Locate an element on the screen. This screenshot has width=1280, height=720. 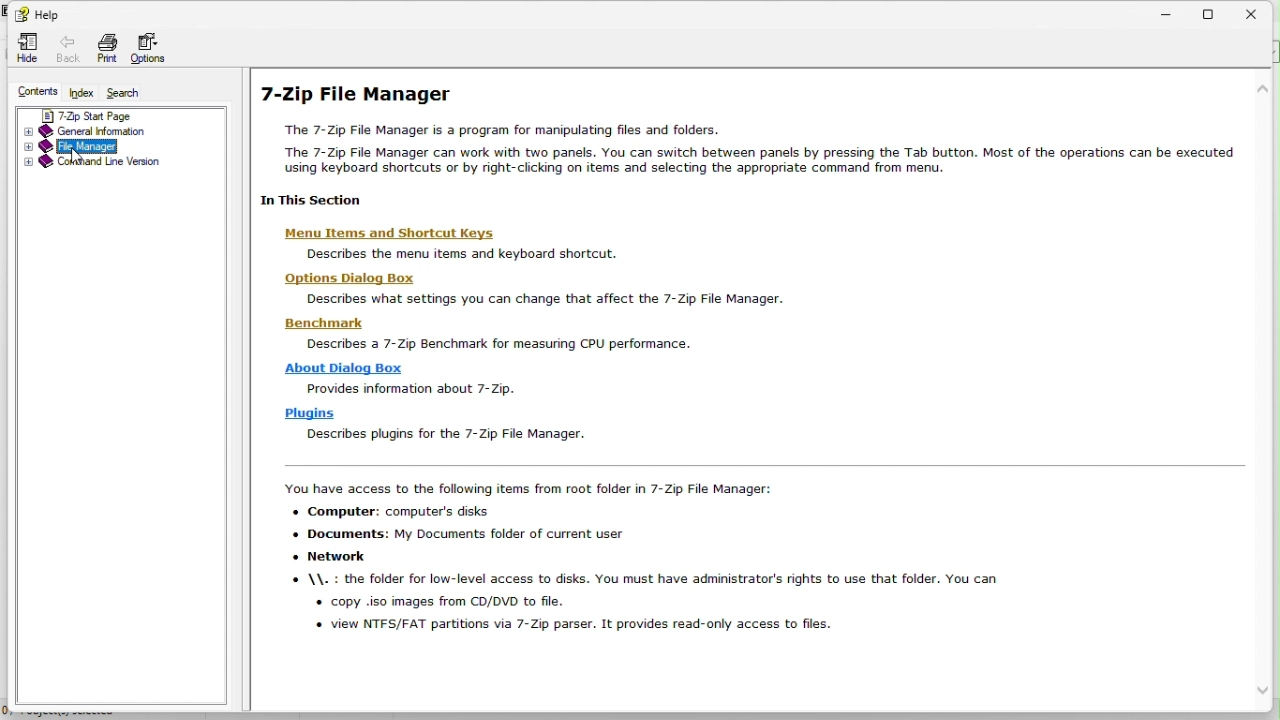
restore is located at coordinates (1218, 11).